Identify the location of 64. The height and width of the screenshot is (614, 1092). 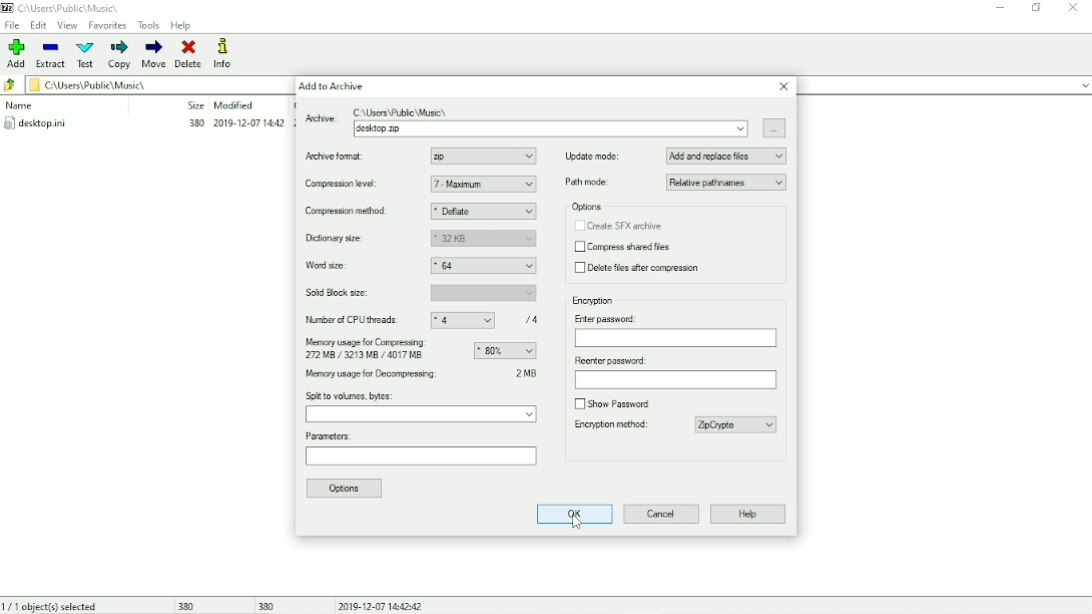
(486, 266).